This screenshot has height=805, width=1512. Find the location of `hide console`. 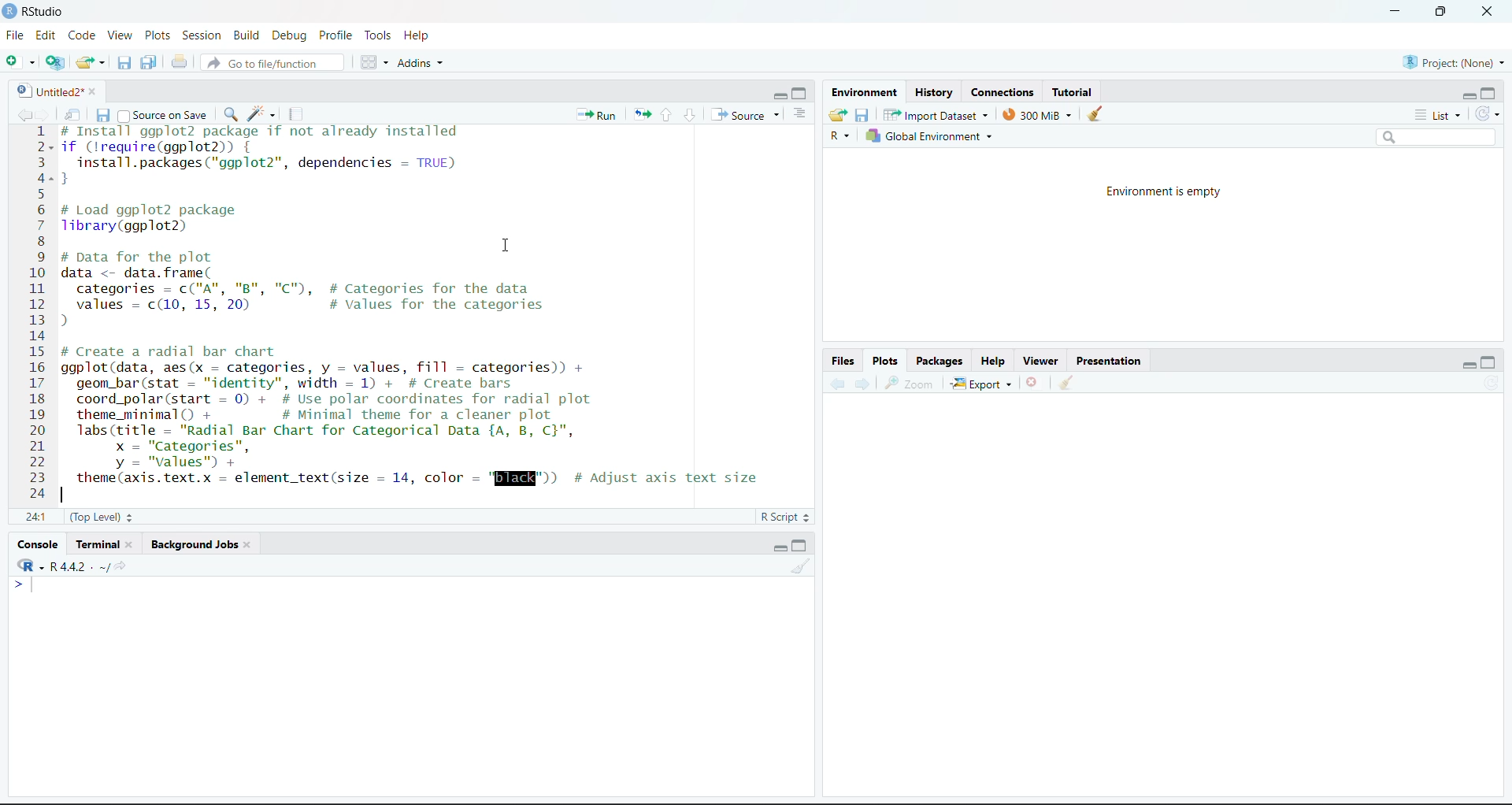

hide console is located at coordinates (1492, 363).